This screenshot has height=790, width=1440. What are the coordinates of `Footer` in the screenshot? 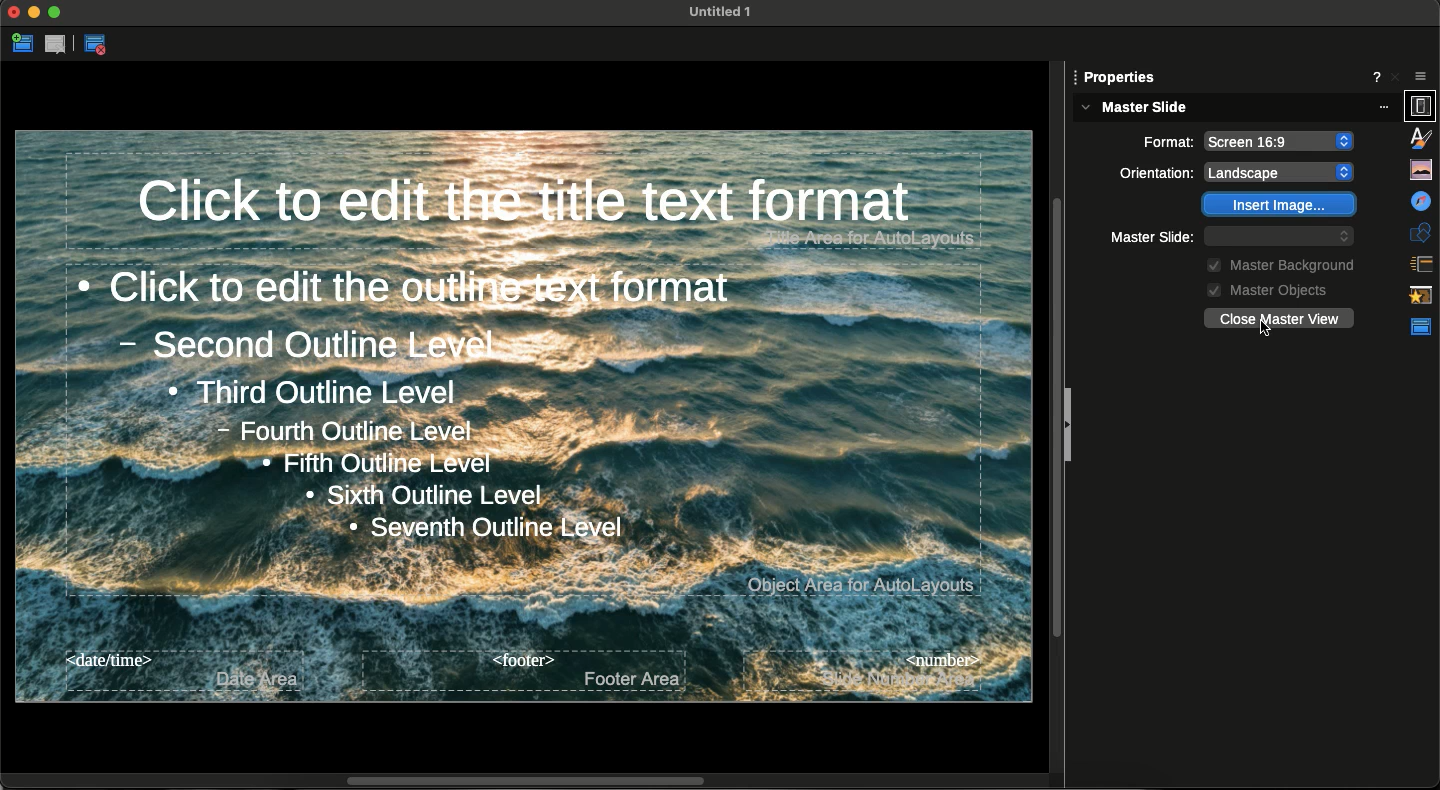 It's located at (525, 670).